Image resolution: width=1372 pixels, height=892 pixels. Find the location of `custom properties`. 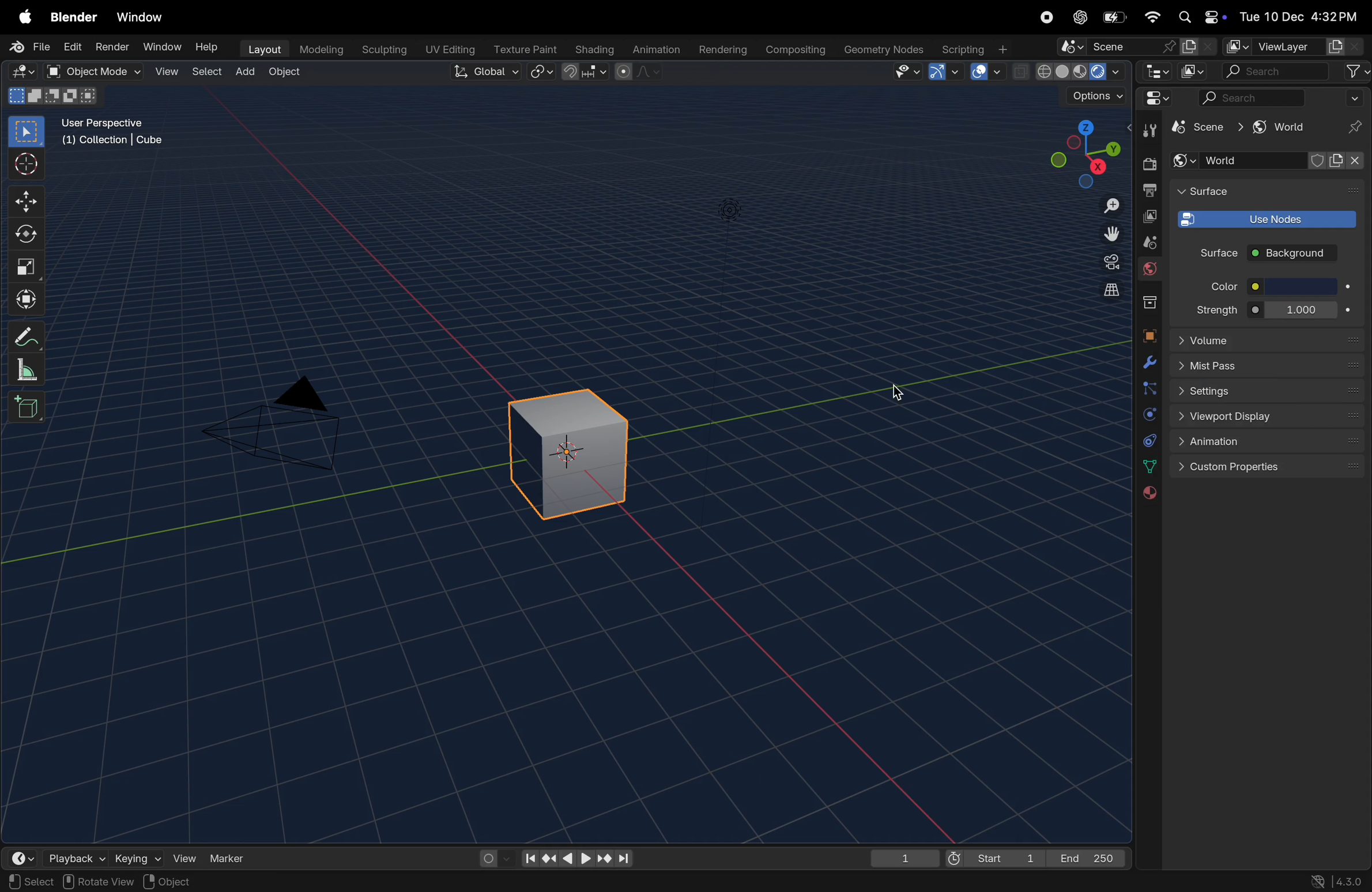

custom properties is located at coordinates (1270, 469).